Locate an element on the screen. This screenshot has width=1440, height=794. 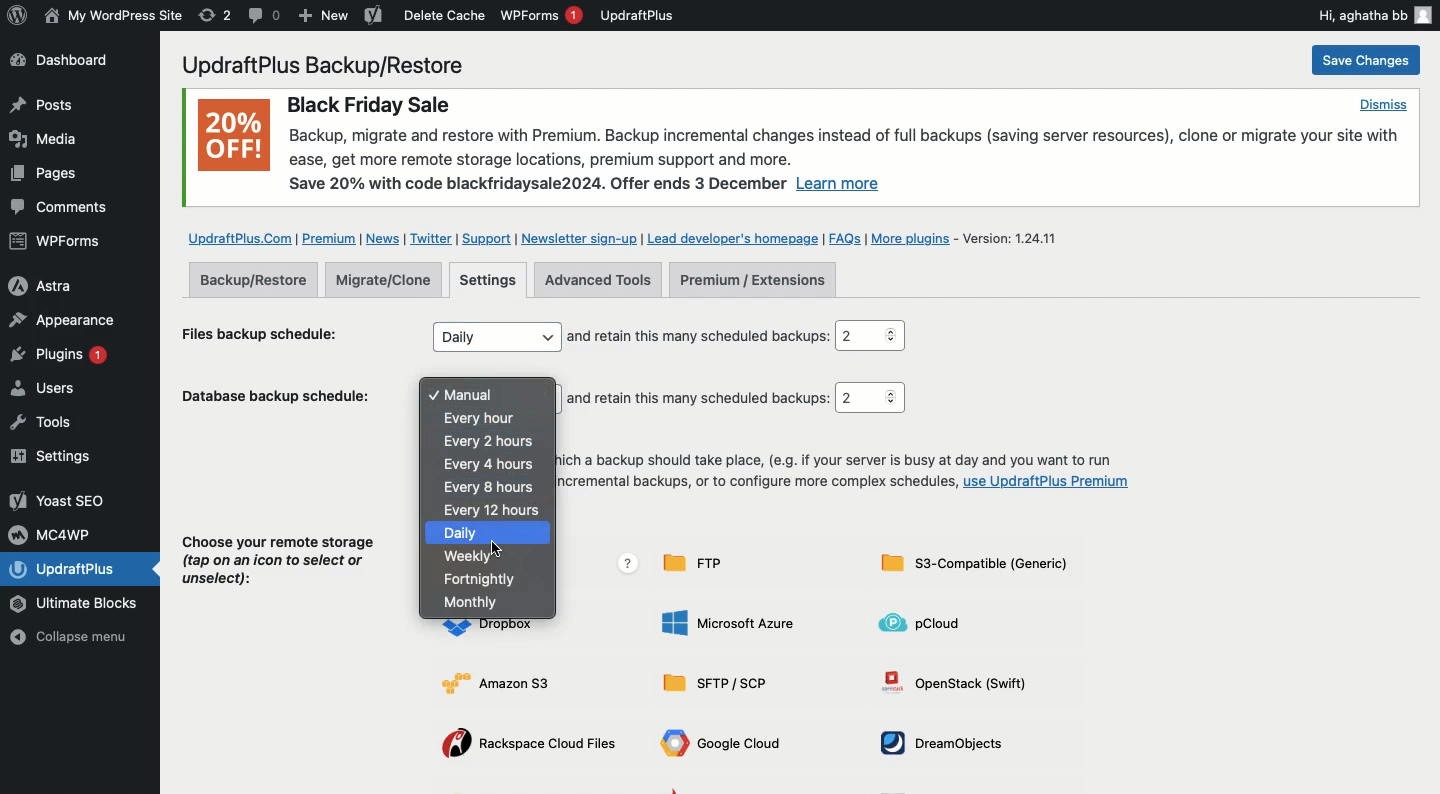
Ultimate Blocks is located at coordinates (80, 605).